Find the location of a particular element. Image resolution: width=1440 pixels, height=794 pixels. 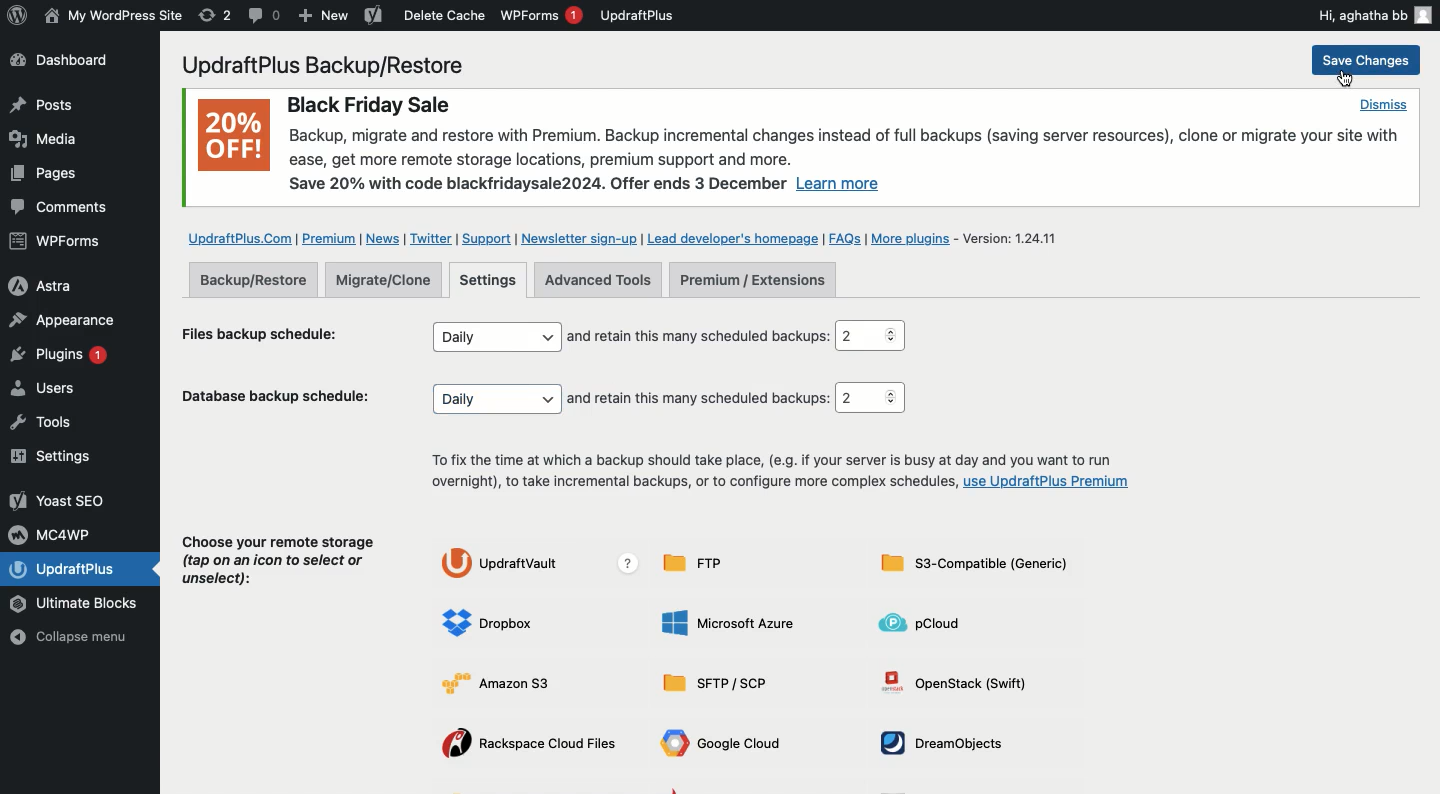

DreamObjects is located at coordinates (949, 743).